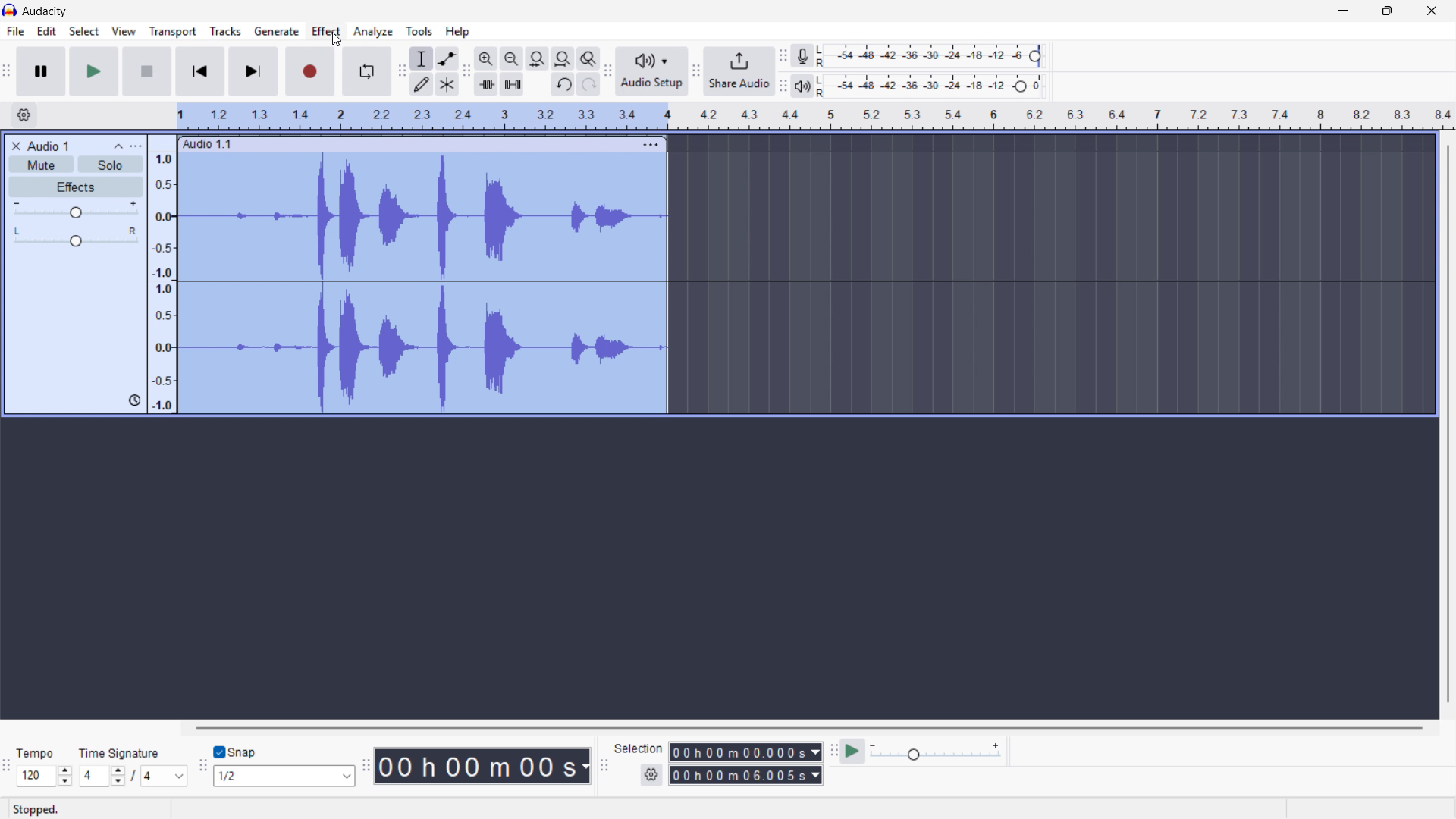 Image resolution: width=1456 pixels, height=819 pixels. Describe the element at coordinates (419, 31) in the screenshot. I see `Tools` at that location.